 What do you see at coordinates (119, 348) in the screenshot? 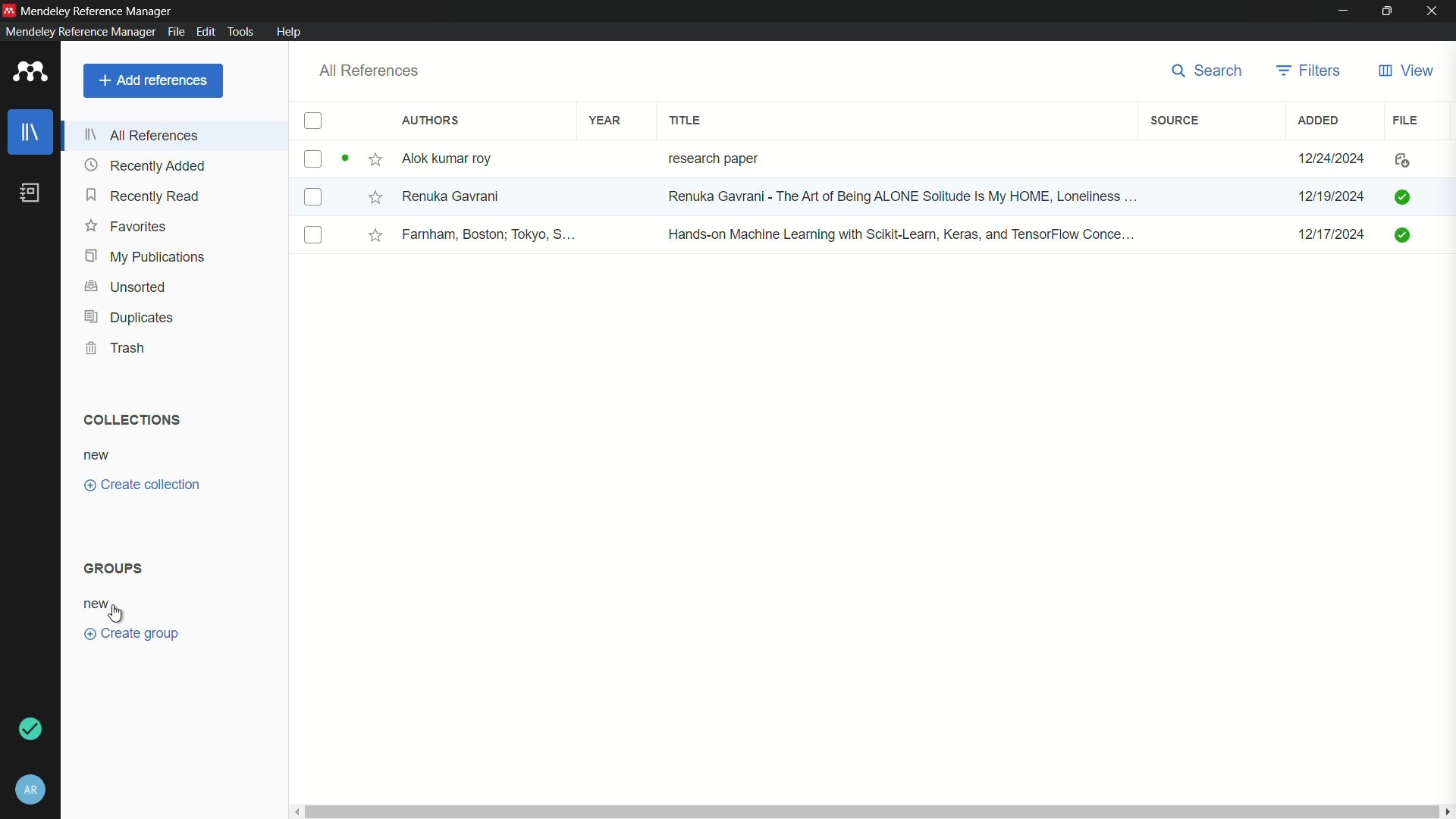
I see `trash` at bounding box center [119, 348].